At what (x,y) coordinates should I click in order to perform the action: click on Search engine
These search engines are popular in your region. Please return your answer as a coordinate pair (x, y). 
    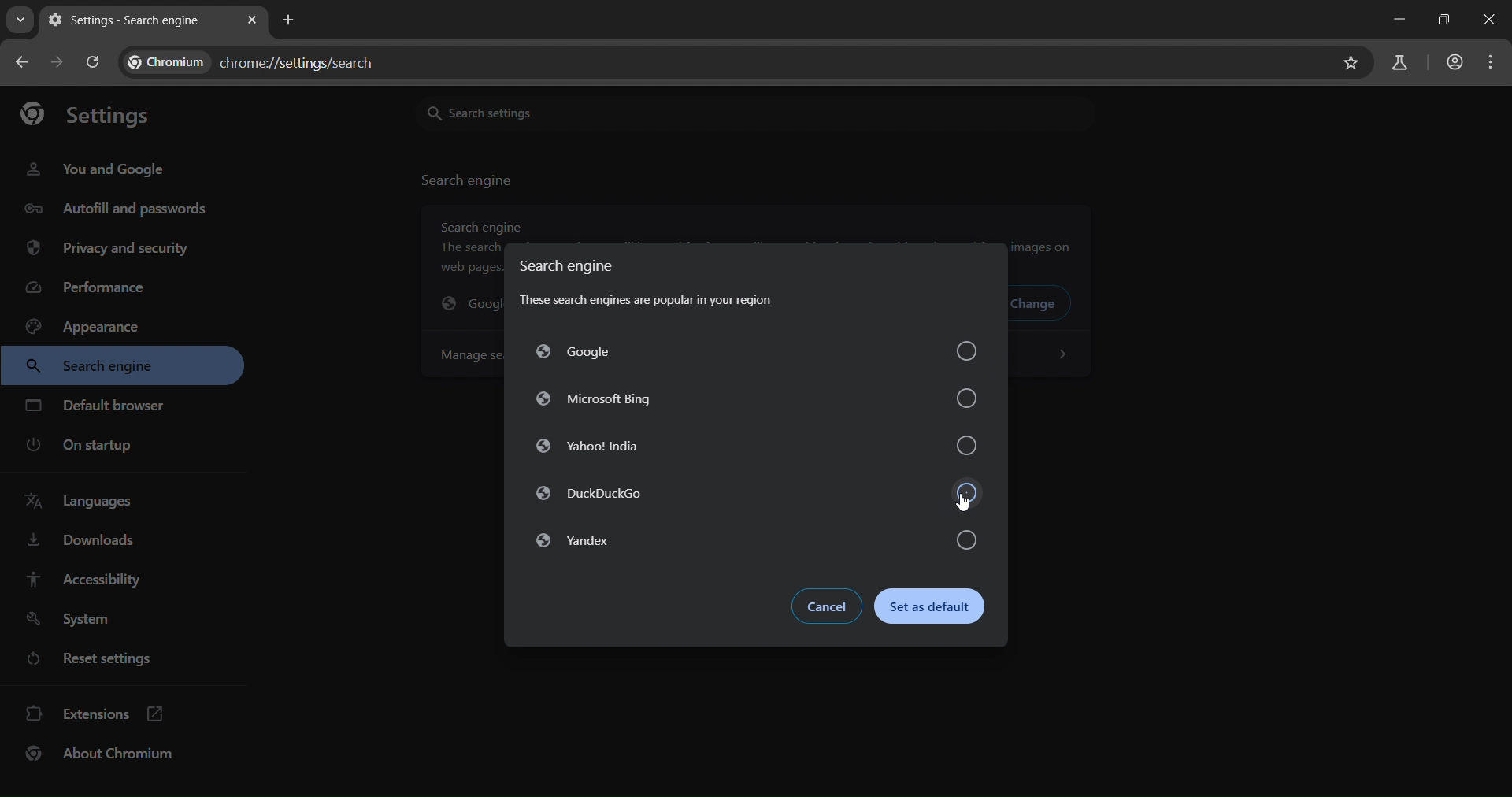
    Looking at the image, I should click on (677, 286).